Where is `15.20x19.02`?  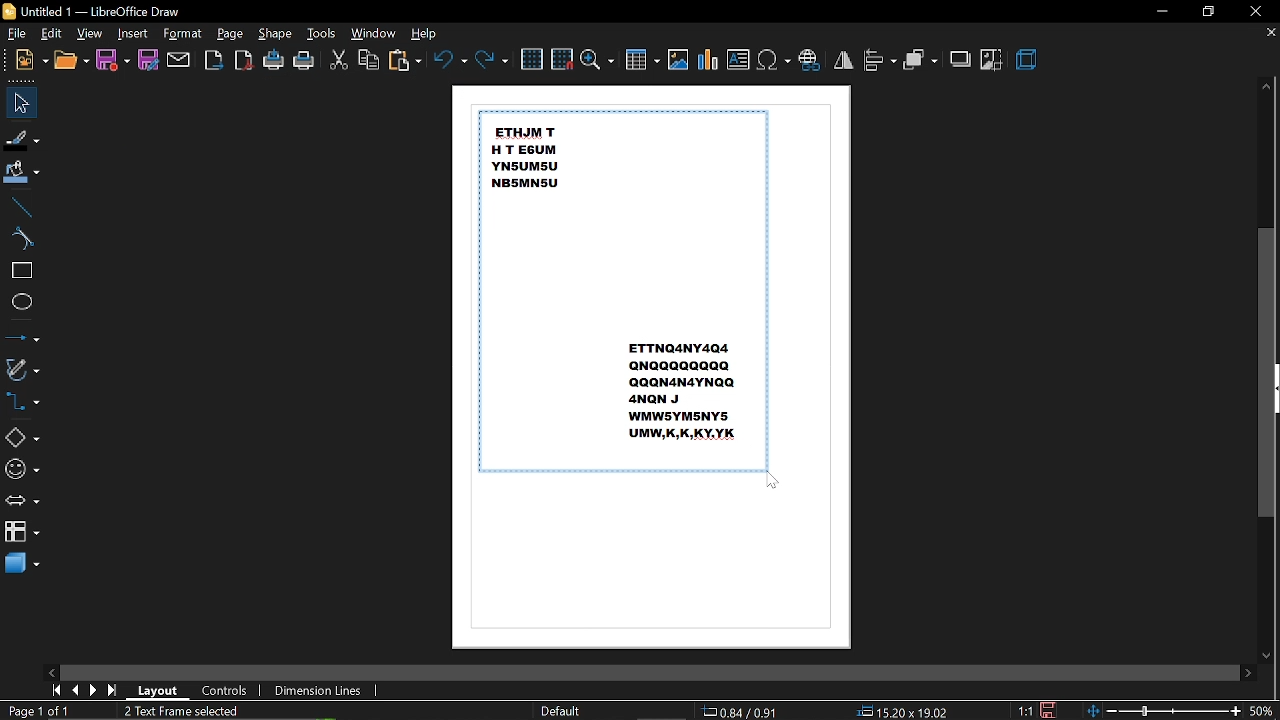 15.20x19.02 is located at coordinates (906, 712).